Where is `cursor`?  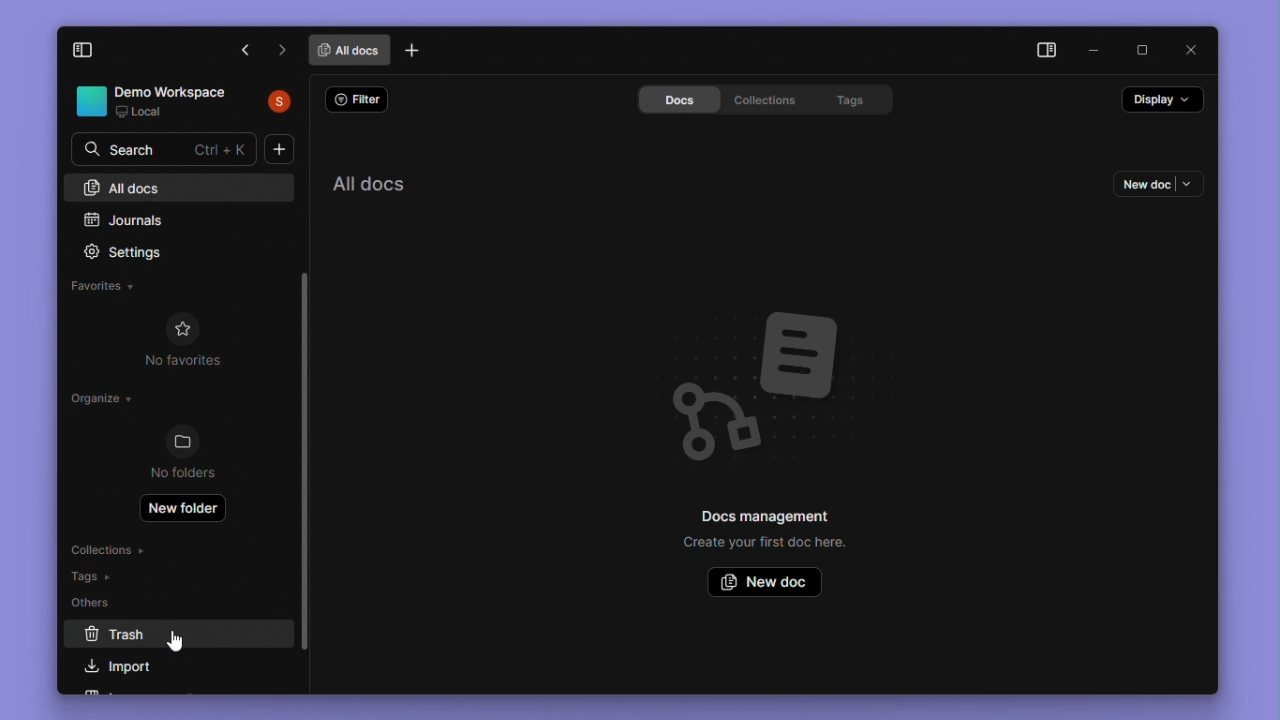 cursor is located at coordinates (177, 639).